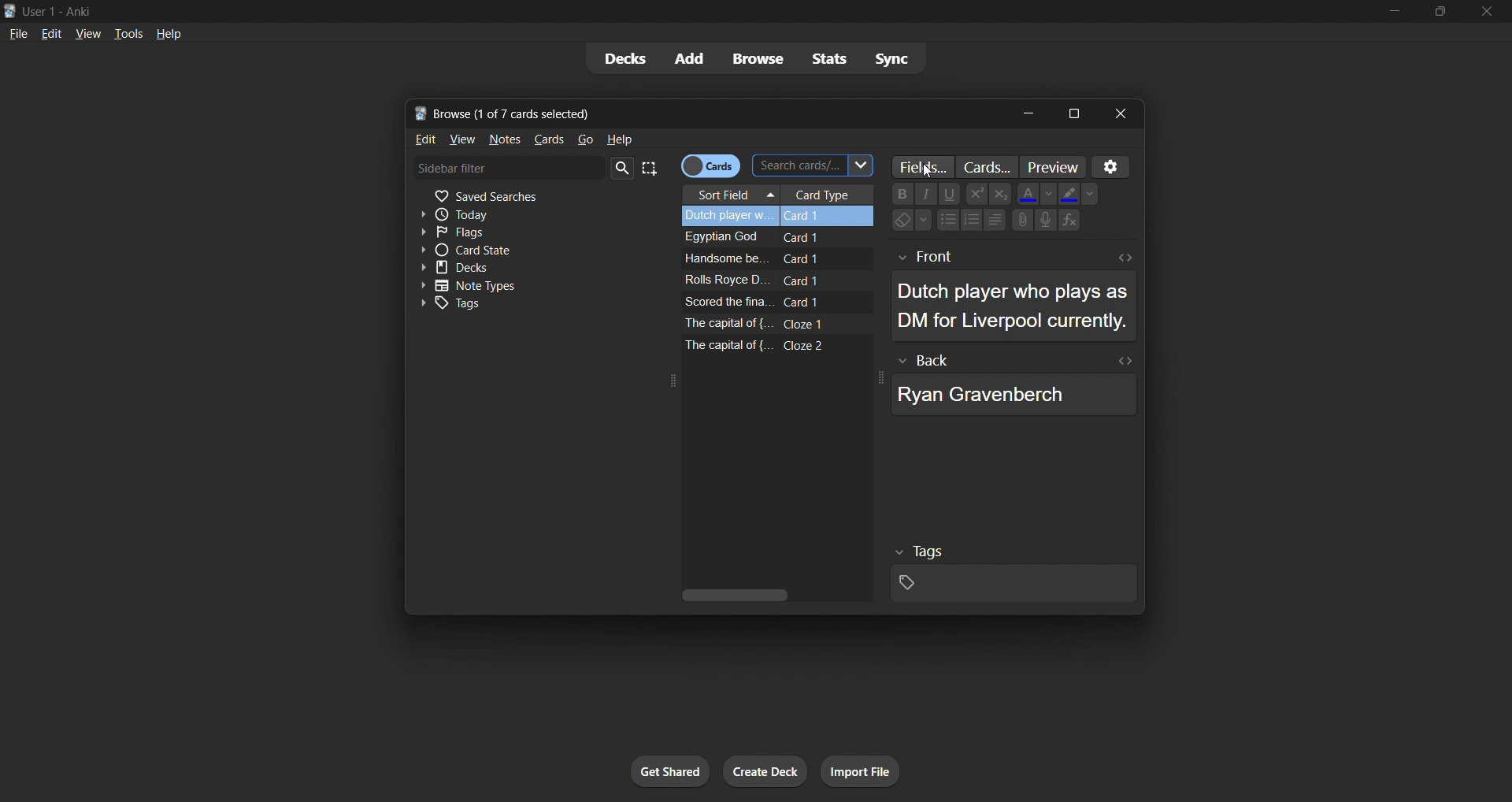 This screenshot has width=1512, height=802. I want to click on expand icon, so click(669, 381).